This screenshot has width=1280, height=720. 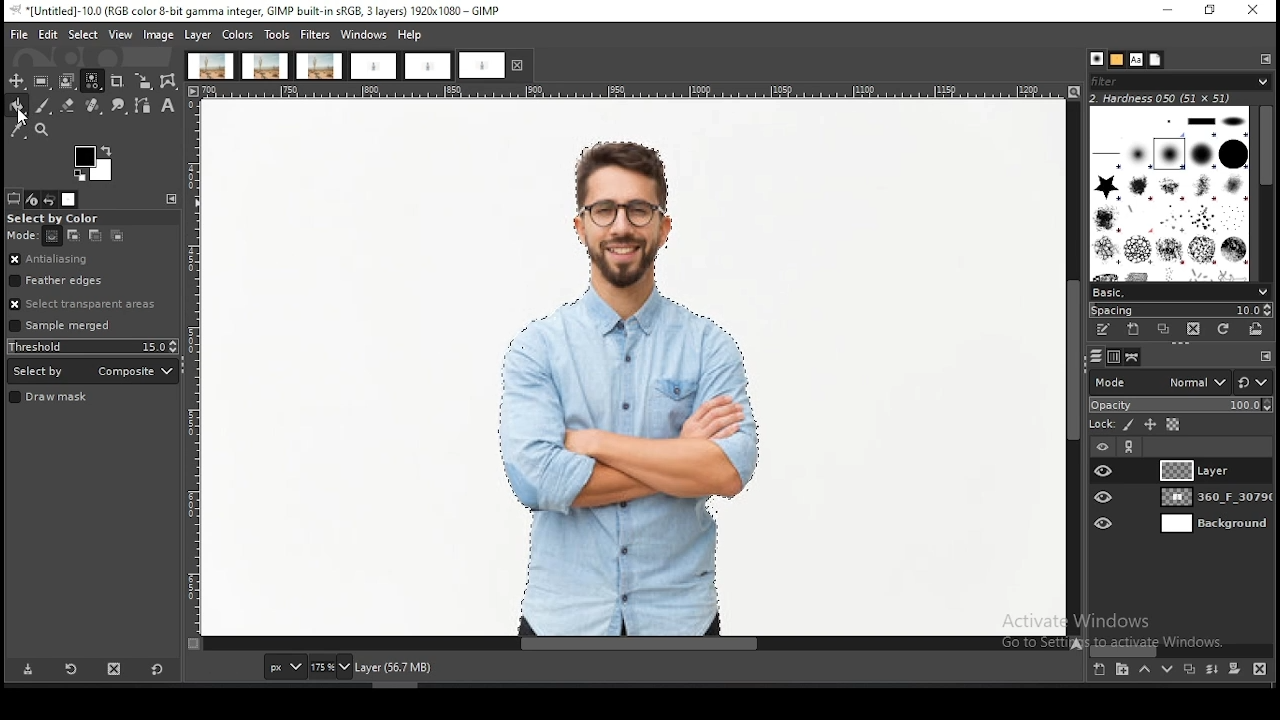 What do you see at coordinates (49, 34) in the screenshot?
I see `edit` at bounding box center [49, 34].